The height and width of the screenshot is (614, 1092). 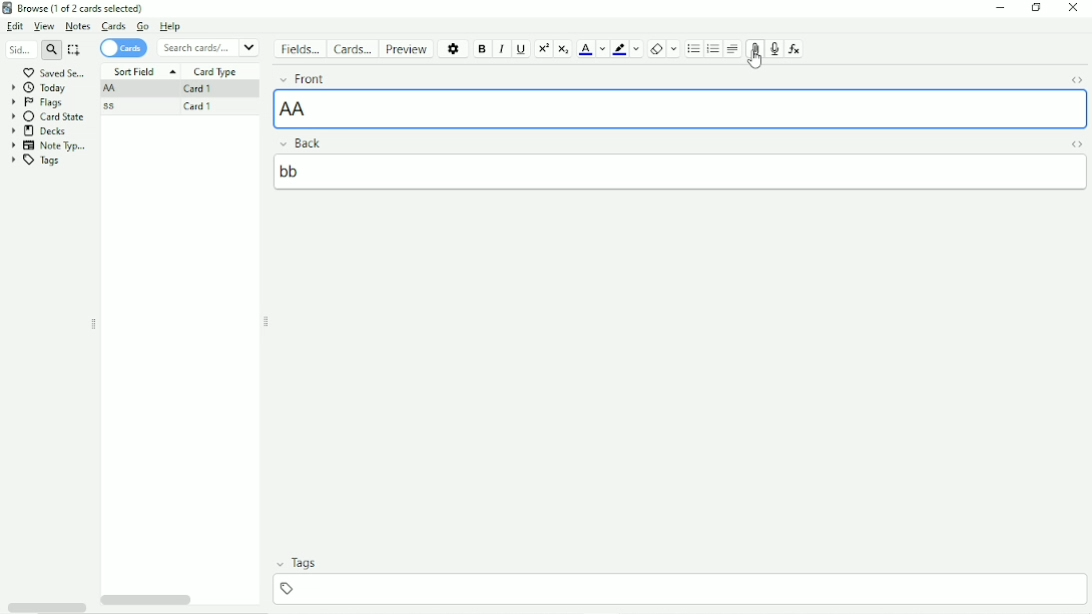 What do you see at coordinates (95, 324) in the screenshot?
I see `Resize` at bounding box center [95, 324].